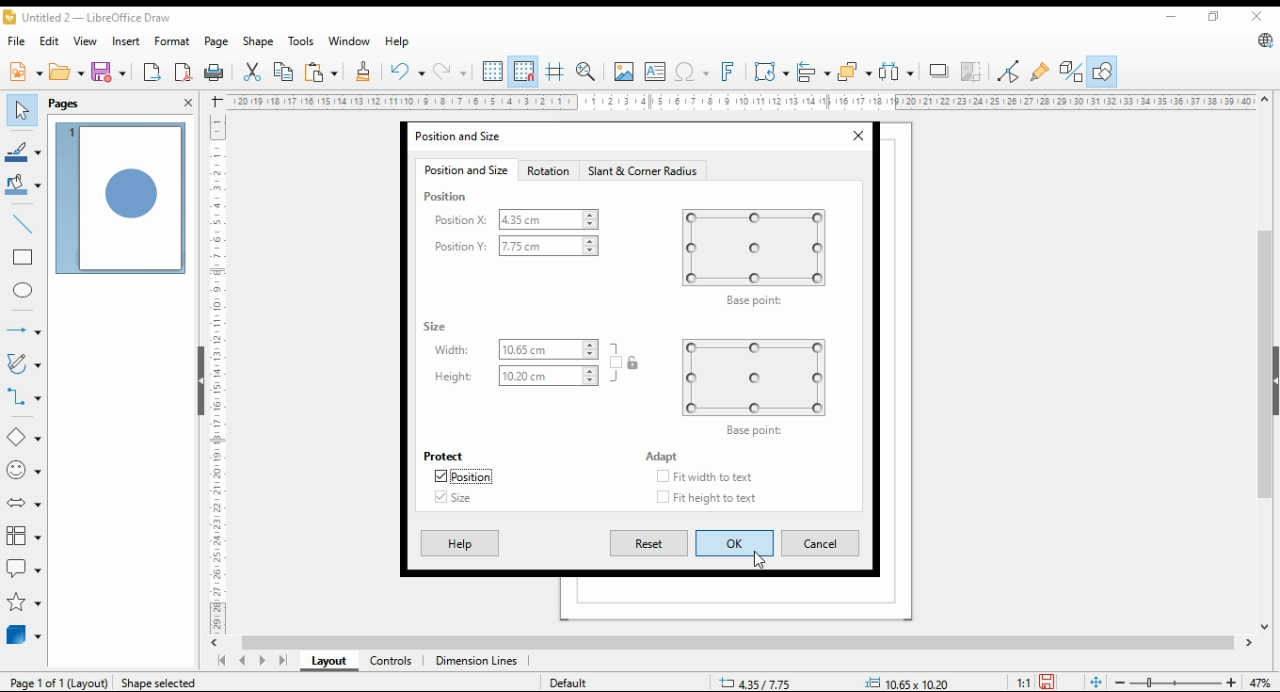  What do you see at coordinates (27, 71) in the screenshot?
I see `new` at bounding box center [27, 71].